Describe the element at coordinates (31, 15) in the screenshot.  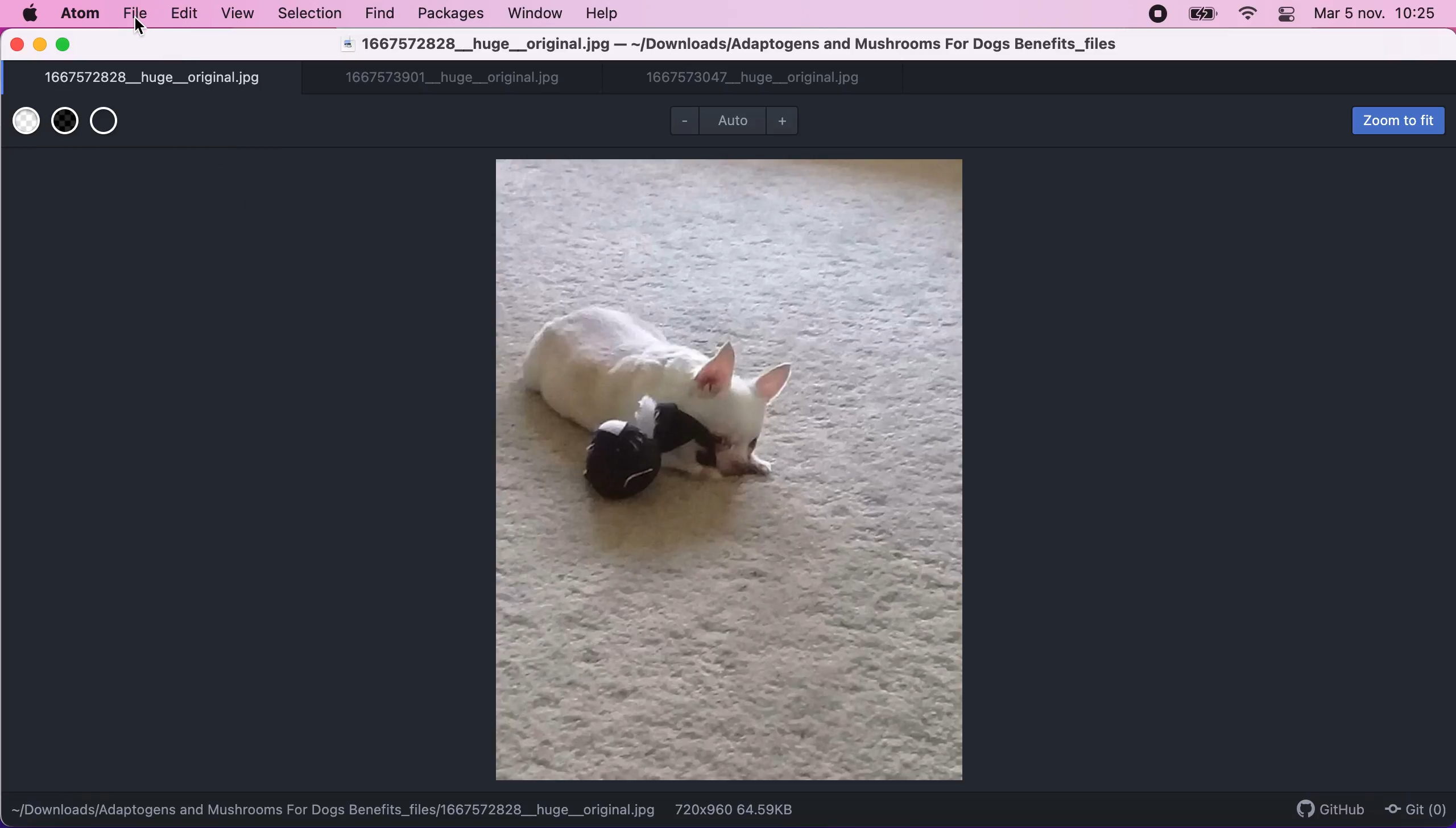
I see `mac logo` at that location.